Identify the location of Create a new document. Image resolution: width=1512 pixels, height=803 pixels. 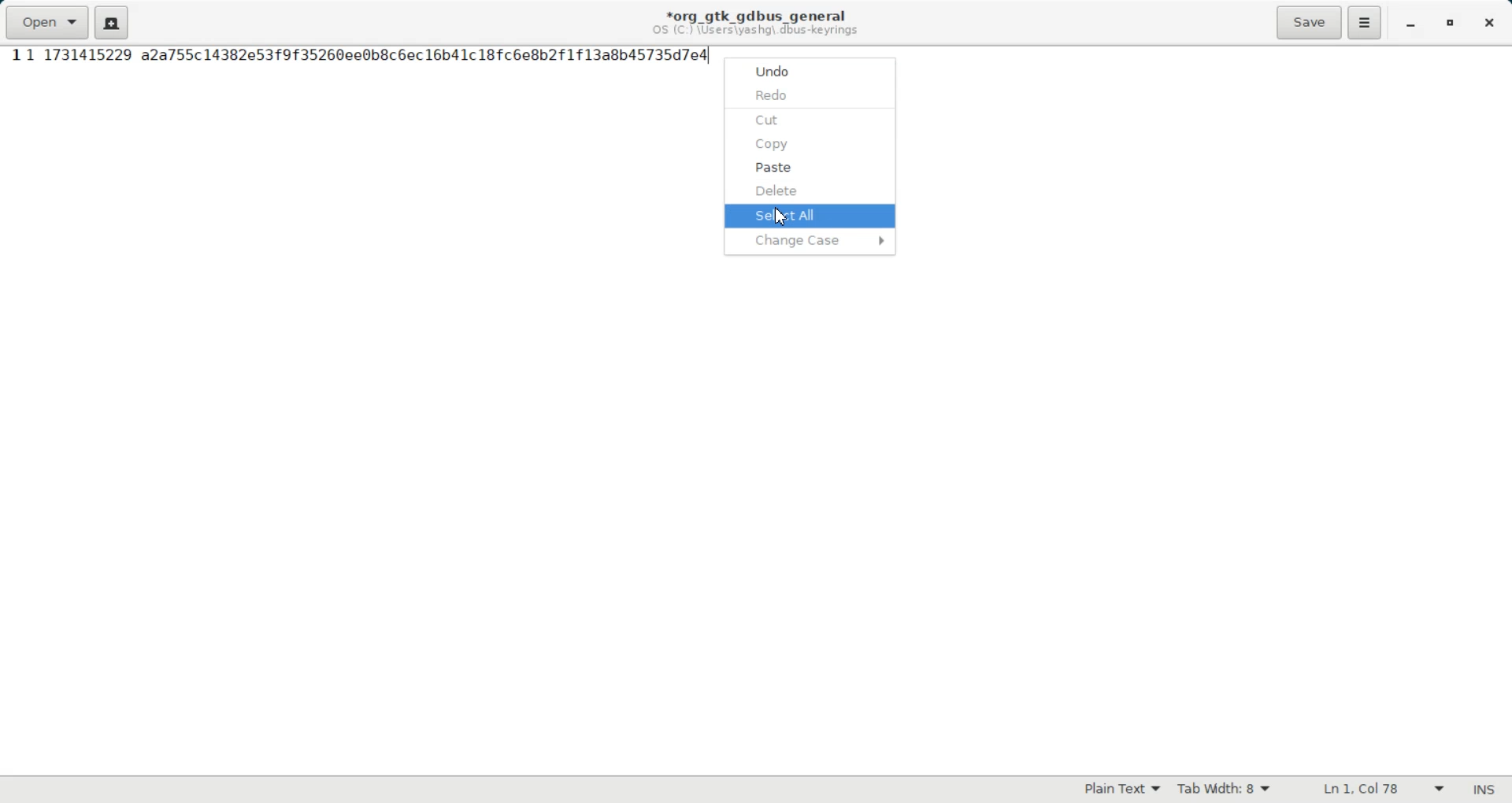
(112, 22).